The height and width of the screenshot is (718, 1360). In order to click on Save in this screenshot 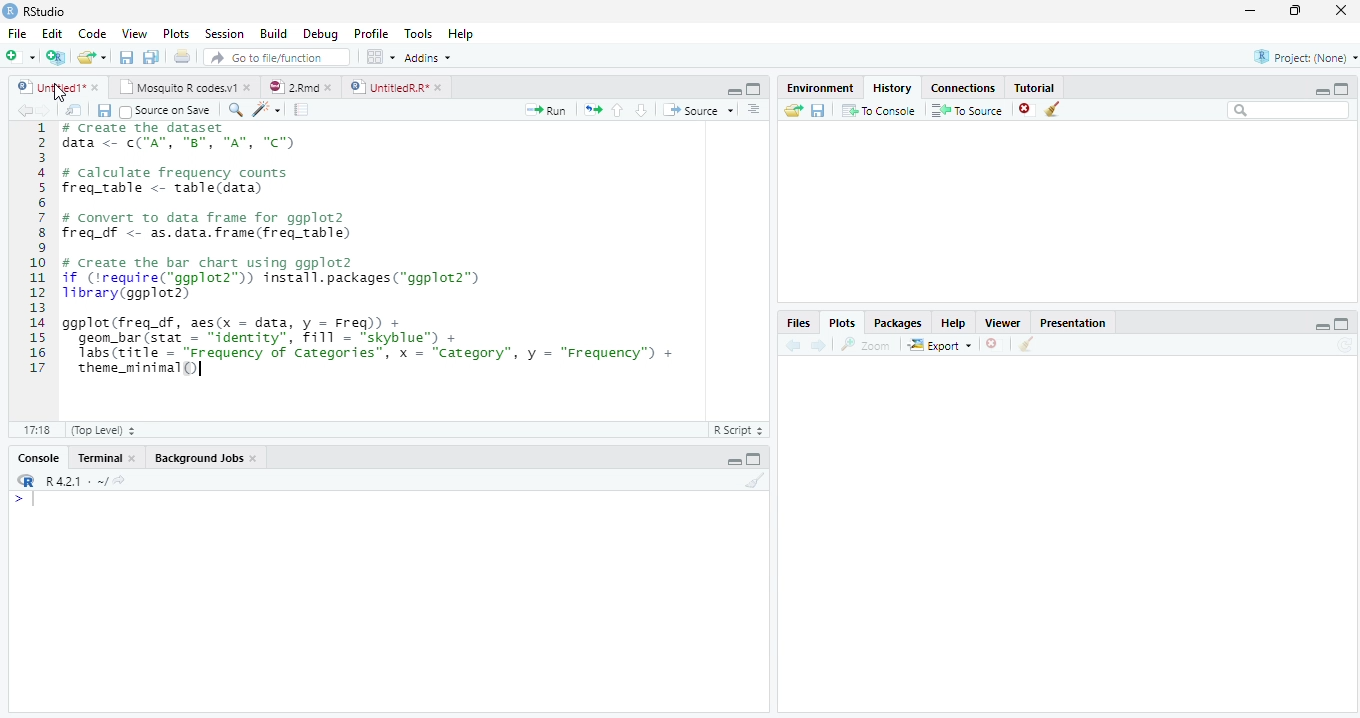, I will do `click(817, 113)`.